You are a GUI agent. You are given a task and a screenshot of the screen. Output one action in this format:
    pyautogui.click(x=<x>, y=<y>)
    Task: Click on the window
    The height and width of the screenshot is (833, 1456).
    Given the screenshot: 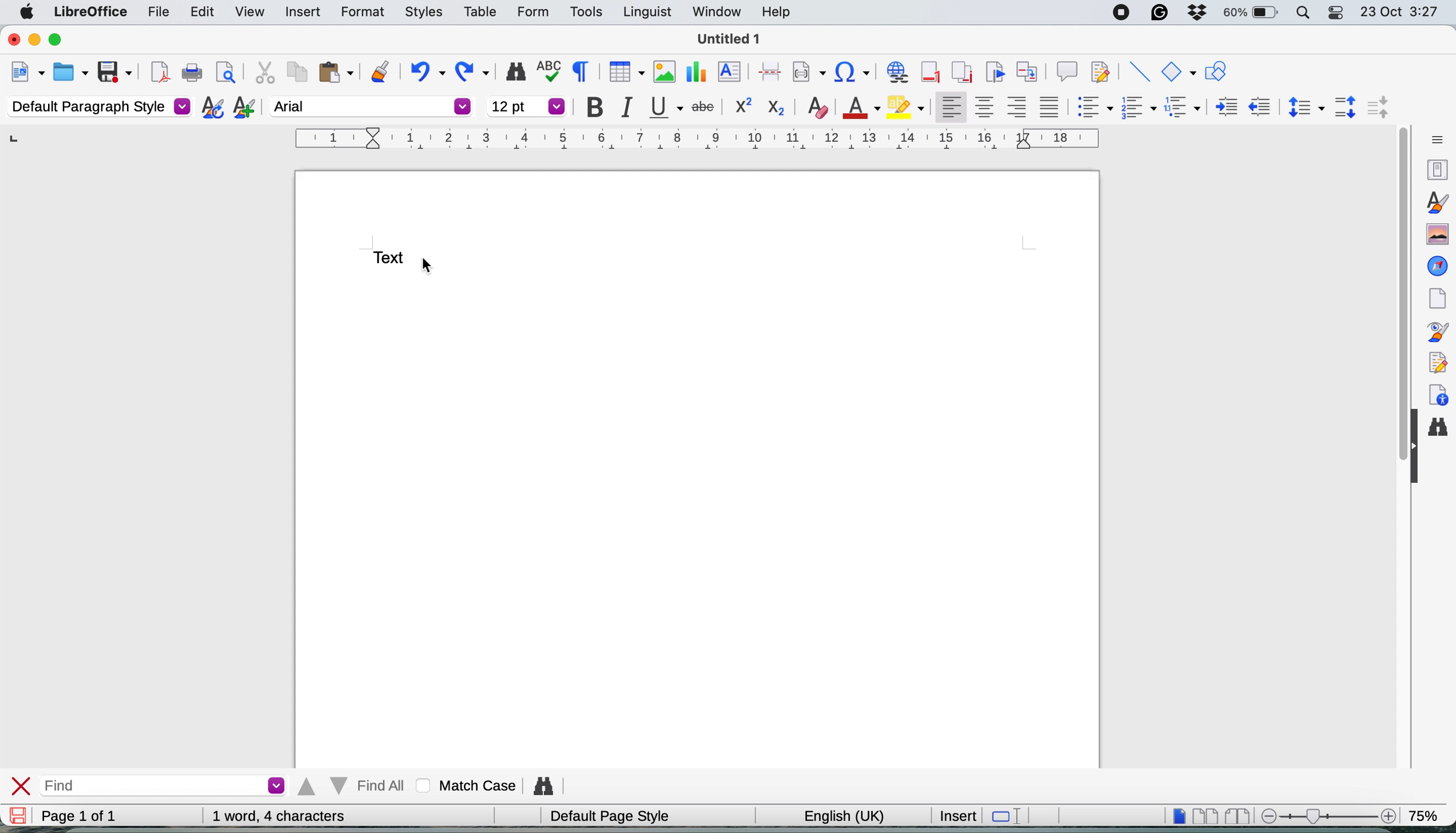 What is the action you would take?
    pyautogui.click(x=714, y=14)
    